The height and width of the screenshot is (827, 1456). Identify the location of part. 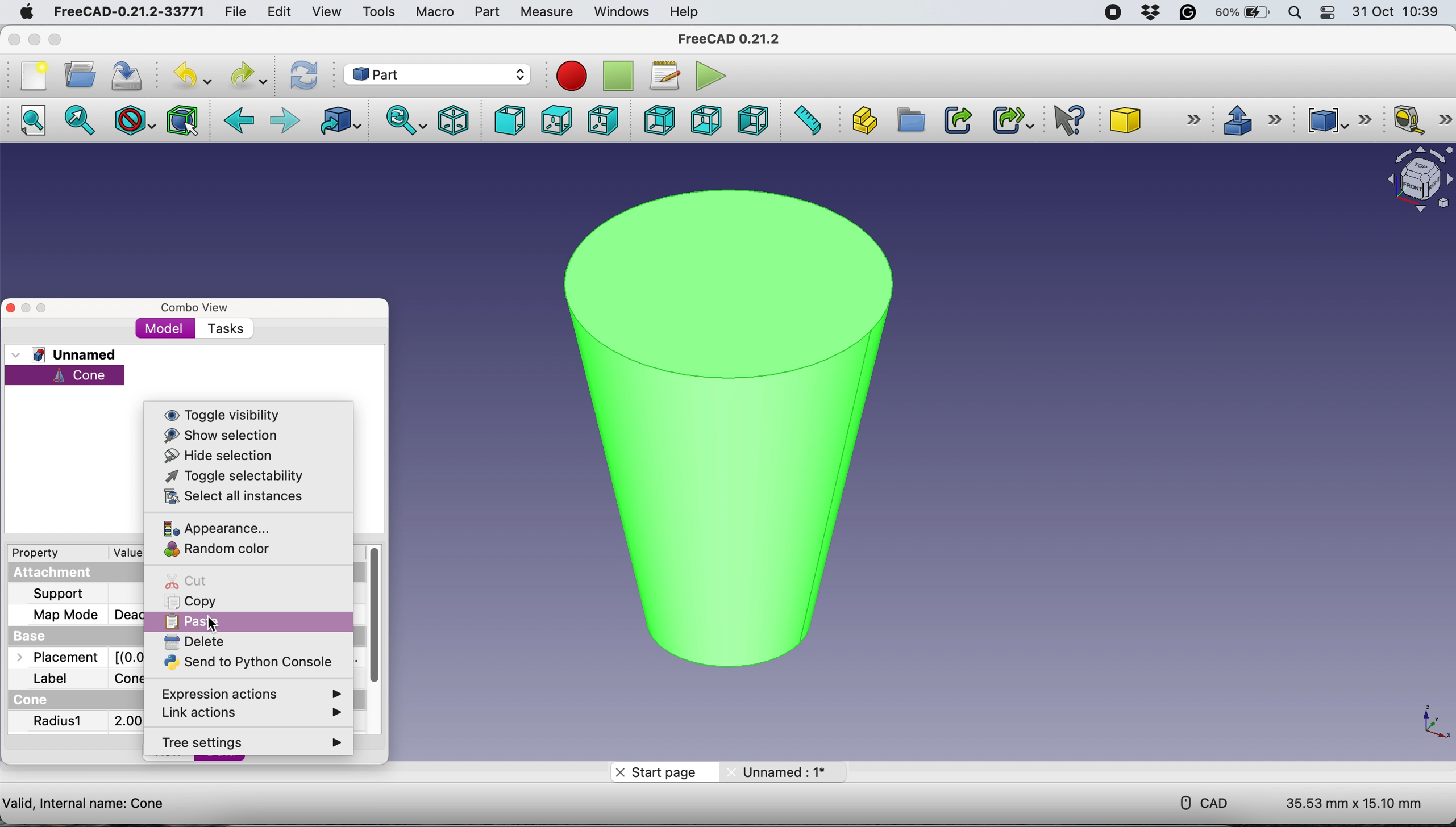
(484, 12).